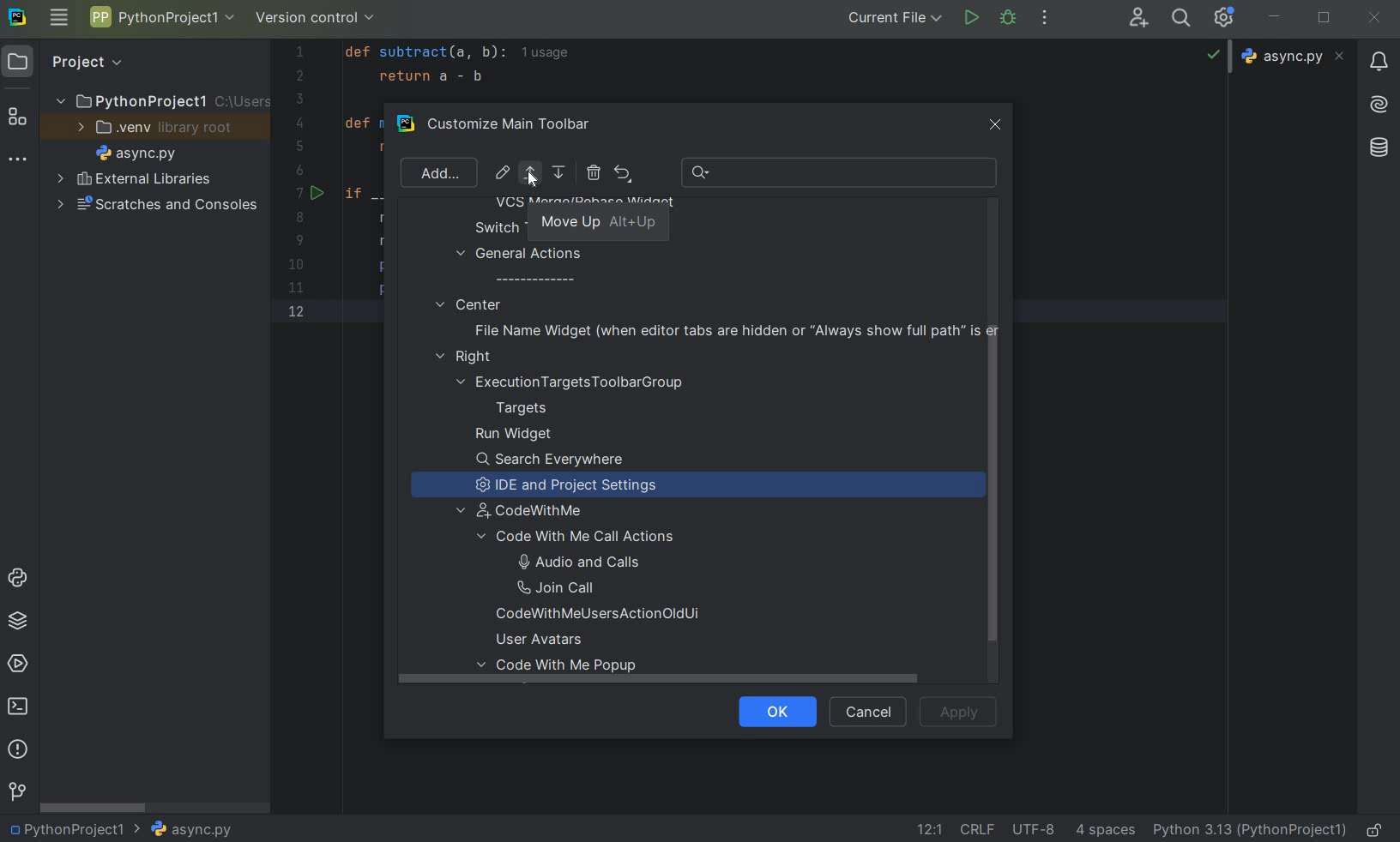 This screenshot has width=1400, height=842. What do you see at coordinates (437, 172) in the screenshot?
I see `ADD` at bounding box center [437, 172].